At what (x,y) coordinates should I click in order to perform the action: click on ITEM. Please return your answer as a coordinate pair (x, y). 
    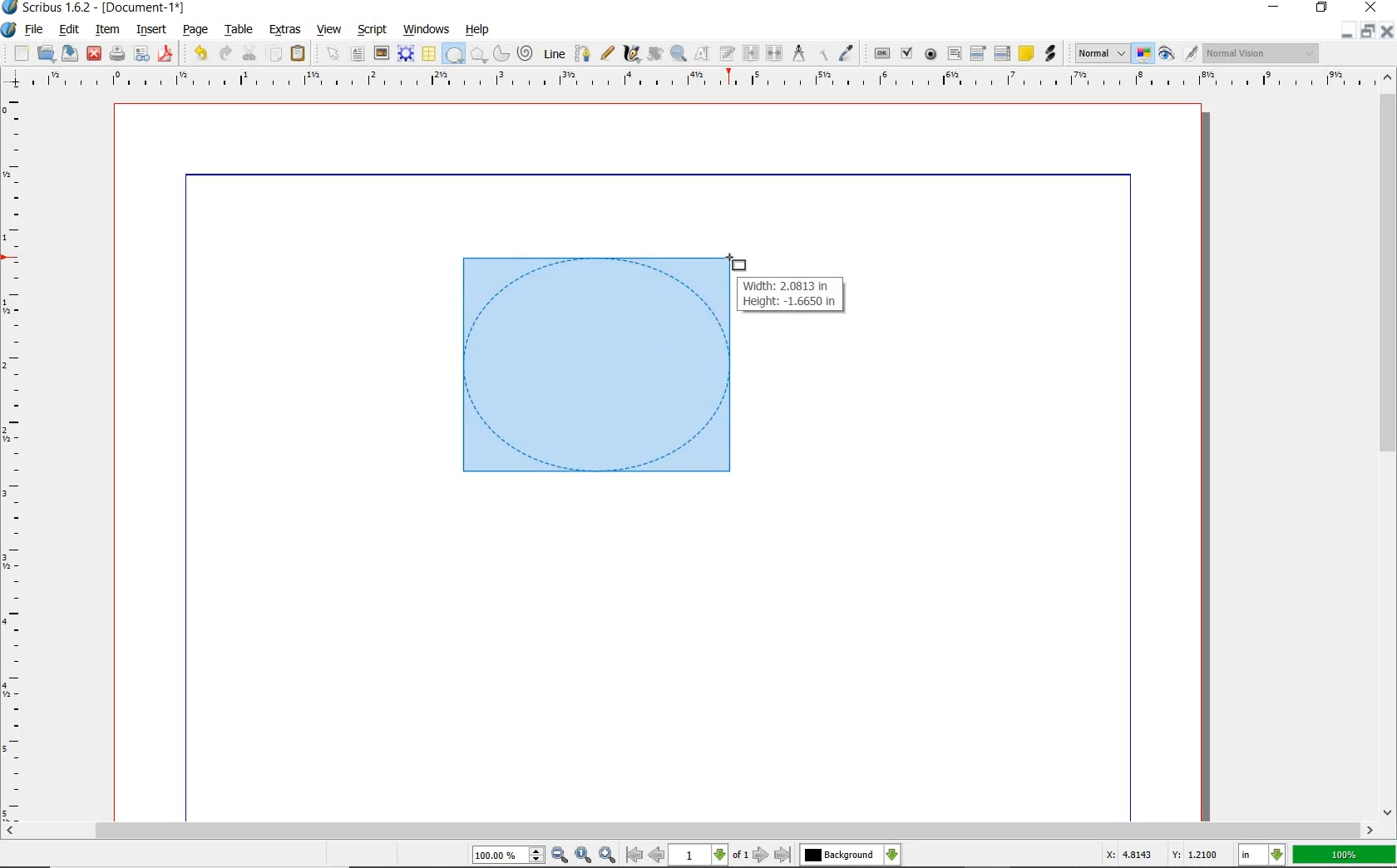
    Looking at the image, I should click on (108, 28).